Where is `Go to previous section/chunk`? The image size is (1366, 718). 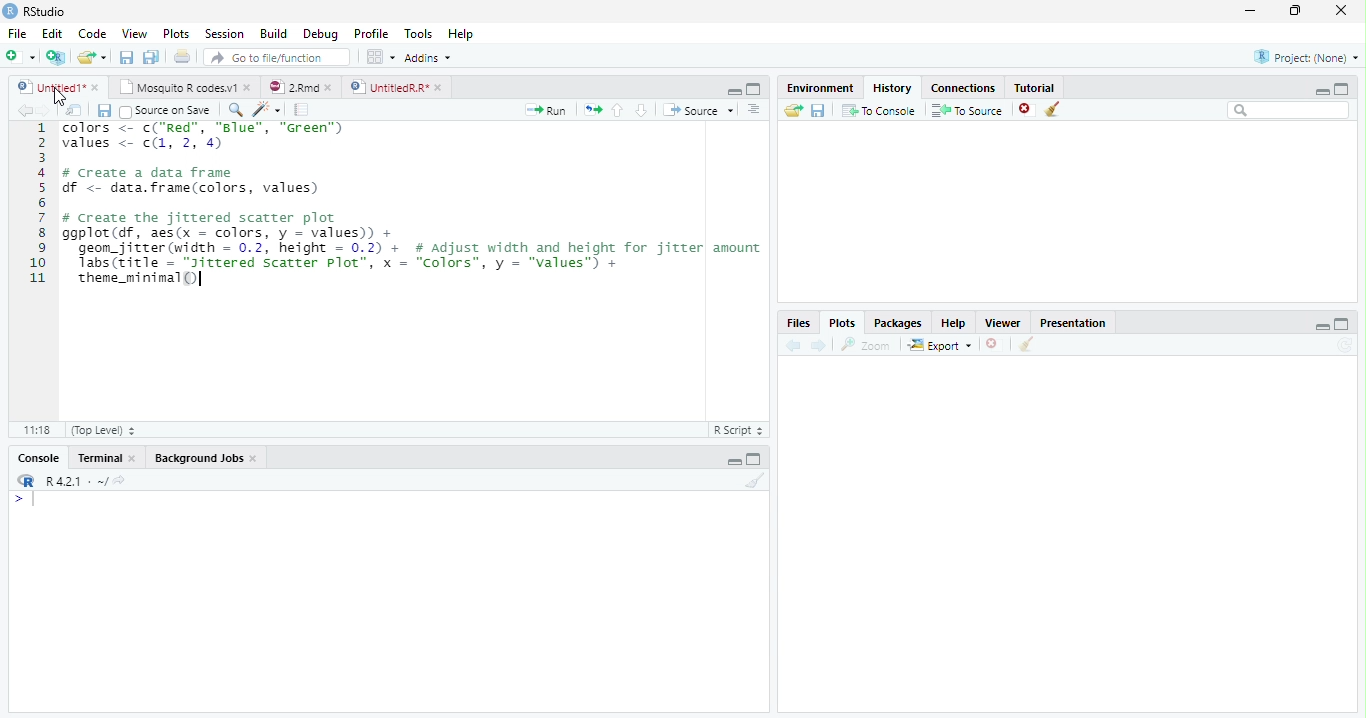
Go to previous section/chunk is located at coordinates (617, 110).